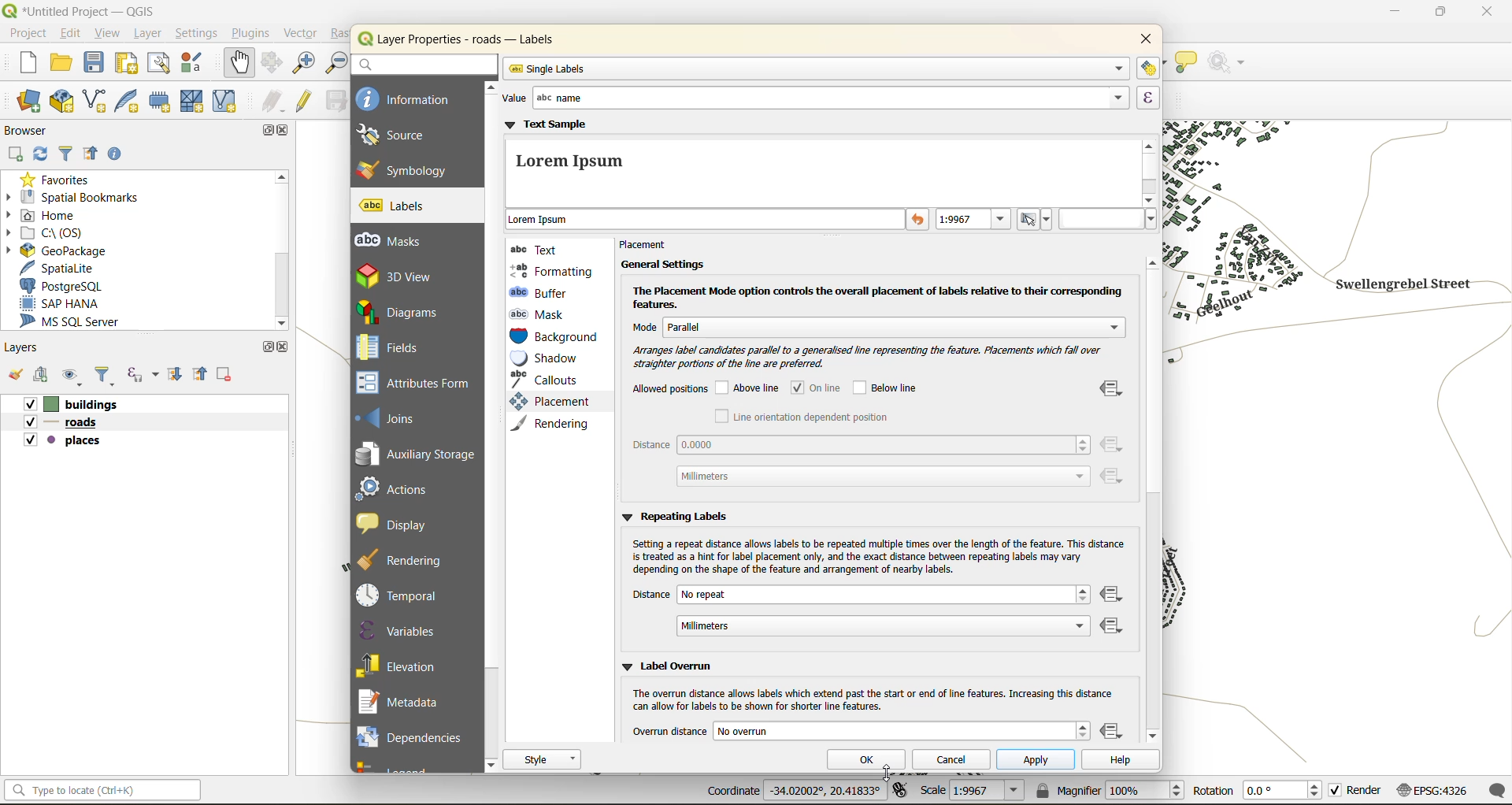 This screenshot has height=805, width=1512. What do you see at coordinates (128, 65) in the screenshot?
I see `print layout` at bounding box center [128, 65].